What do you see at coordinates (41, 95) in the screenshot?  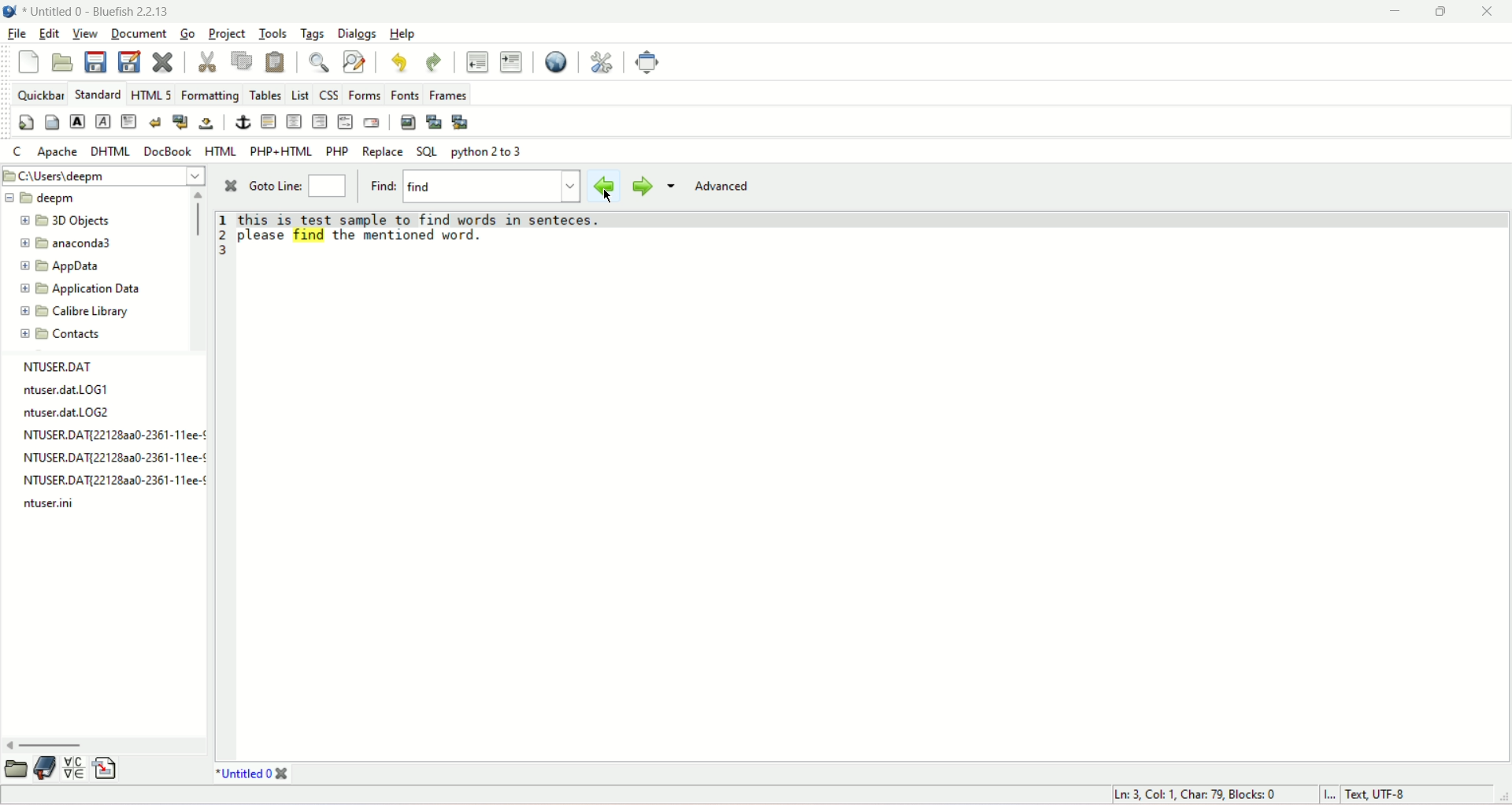 I see `quickbar` at bounding box center [41, 95].